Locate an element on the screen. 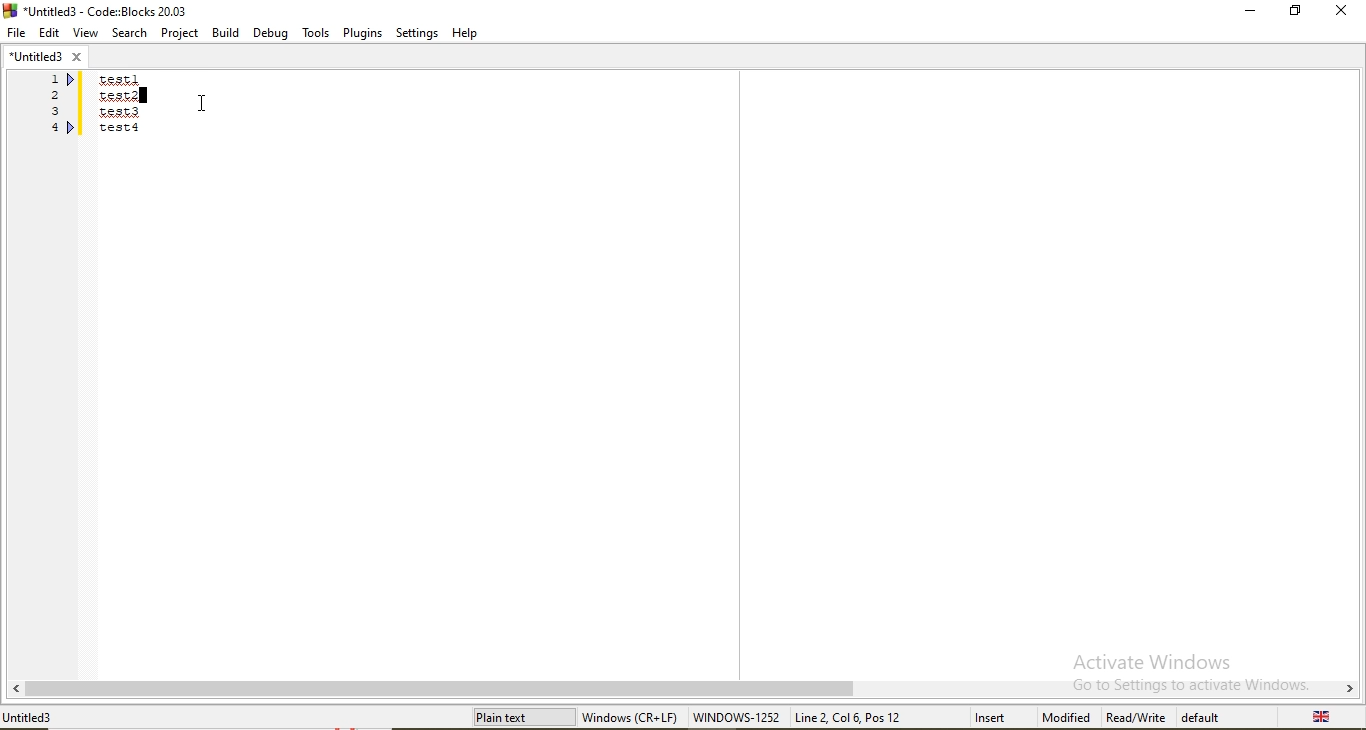  Read/Write is located at coordinates (1138, 717).